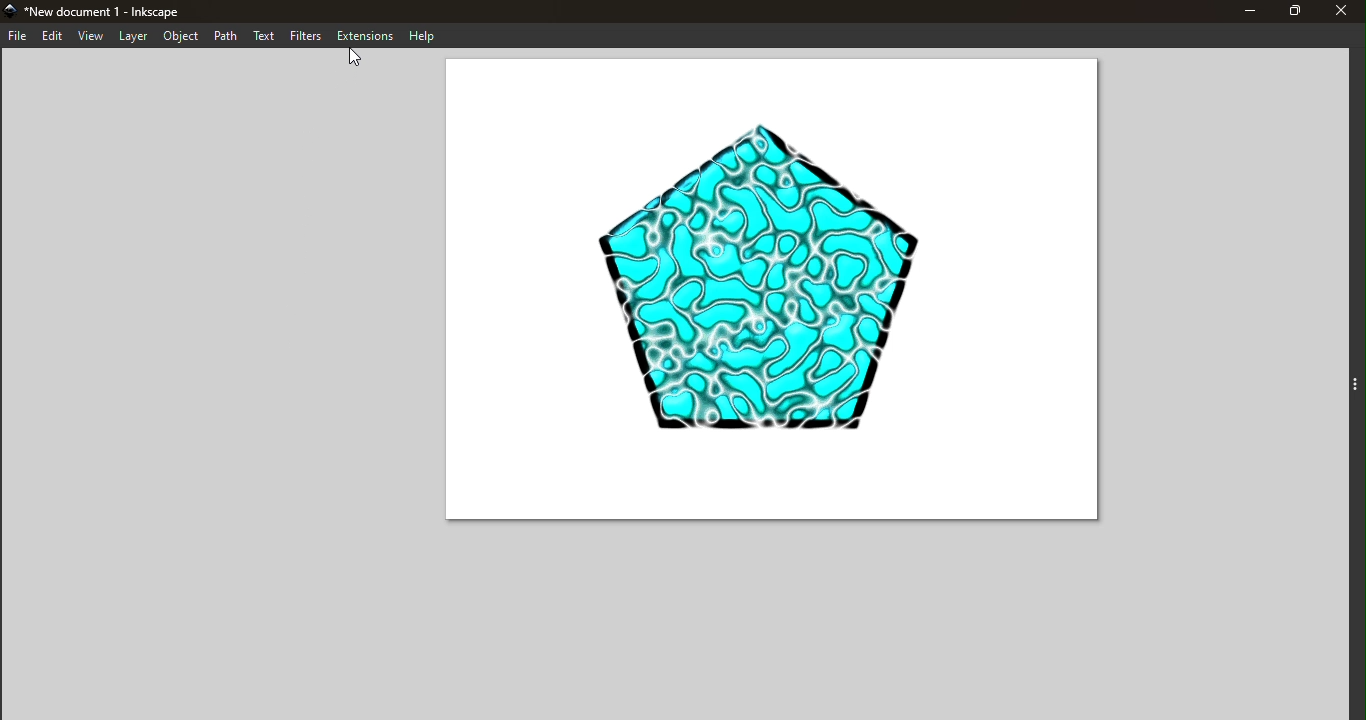 The height and width of the screenshot is (720, 1366). I want to click on Object, so click(182, 37).